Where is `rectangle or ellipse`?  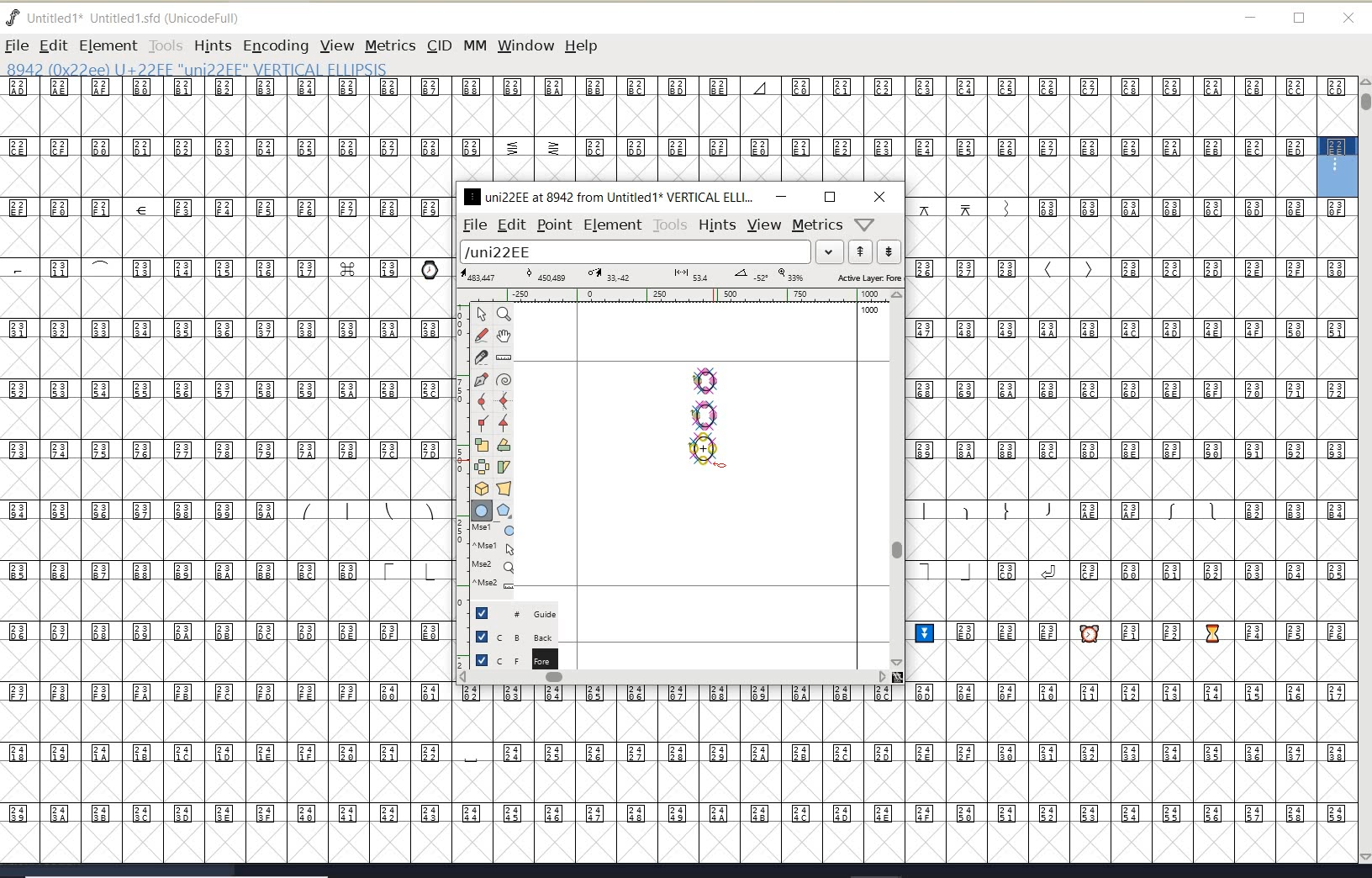
rectangle or ellipse is located at coordinates (483, 511).